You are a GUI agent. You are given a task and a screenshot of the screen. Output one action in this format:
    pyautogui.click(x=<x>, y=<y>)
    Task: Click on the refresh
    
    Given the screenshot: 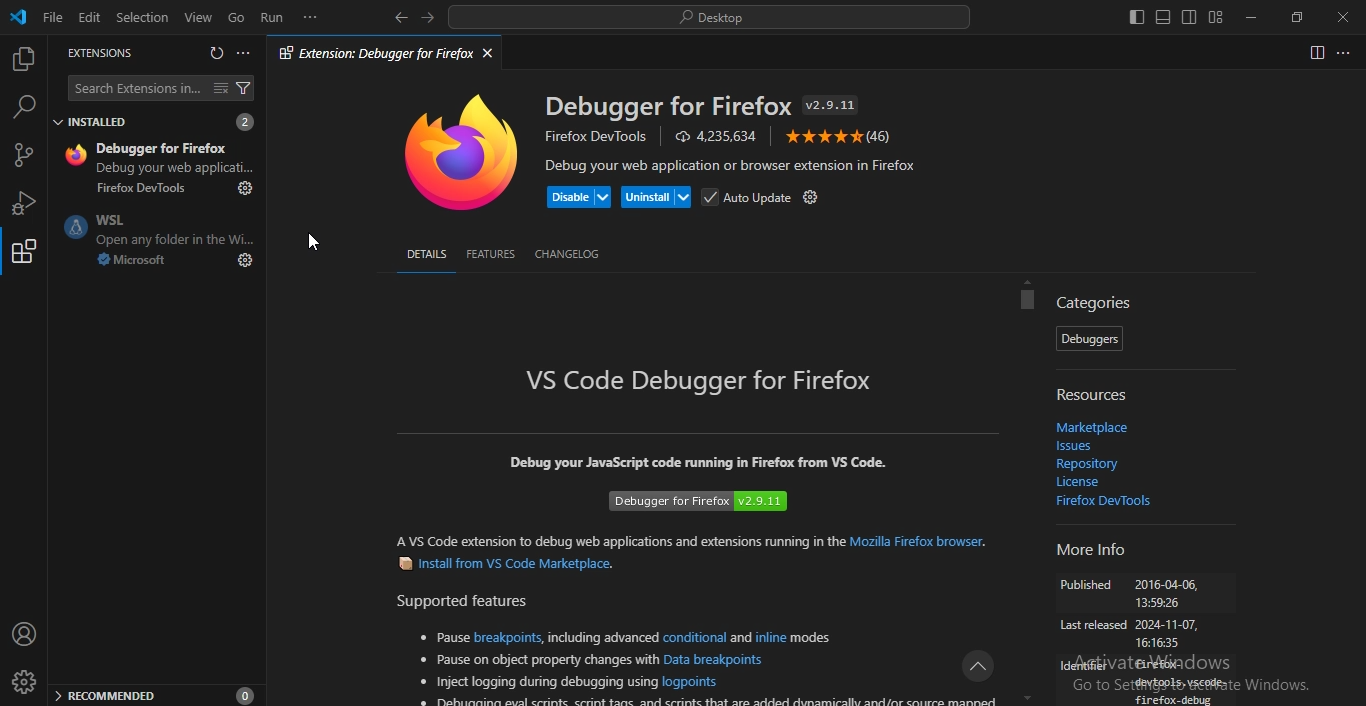 What is the action you would take?
    pyautogui.click(x=216, y=55)
    